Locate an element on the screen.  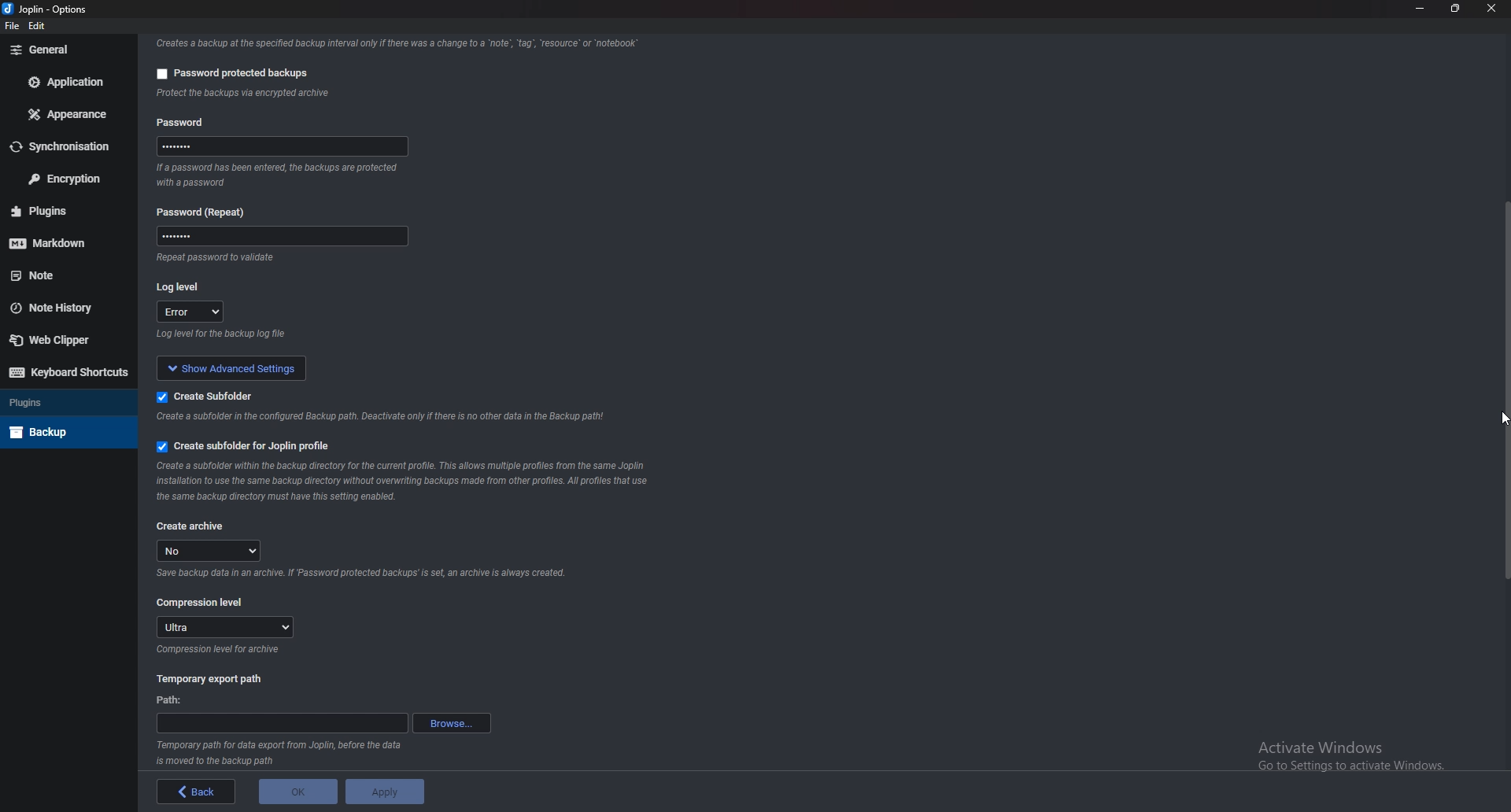
create archive is located at coordinates (192, 525).